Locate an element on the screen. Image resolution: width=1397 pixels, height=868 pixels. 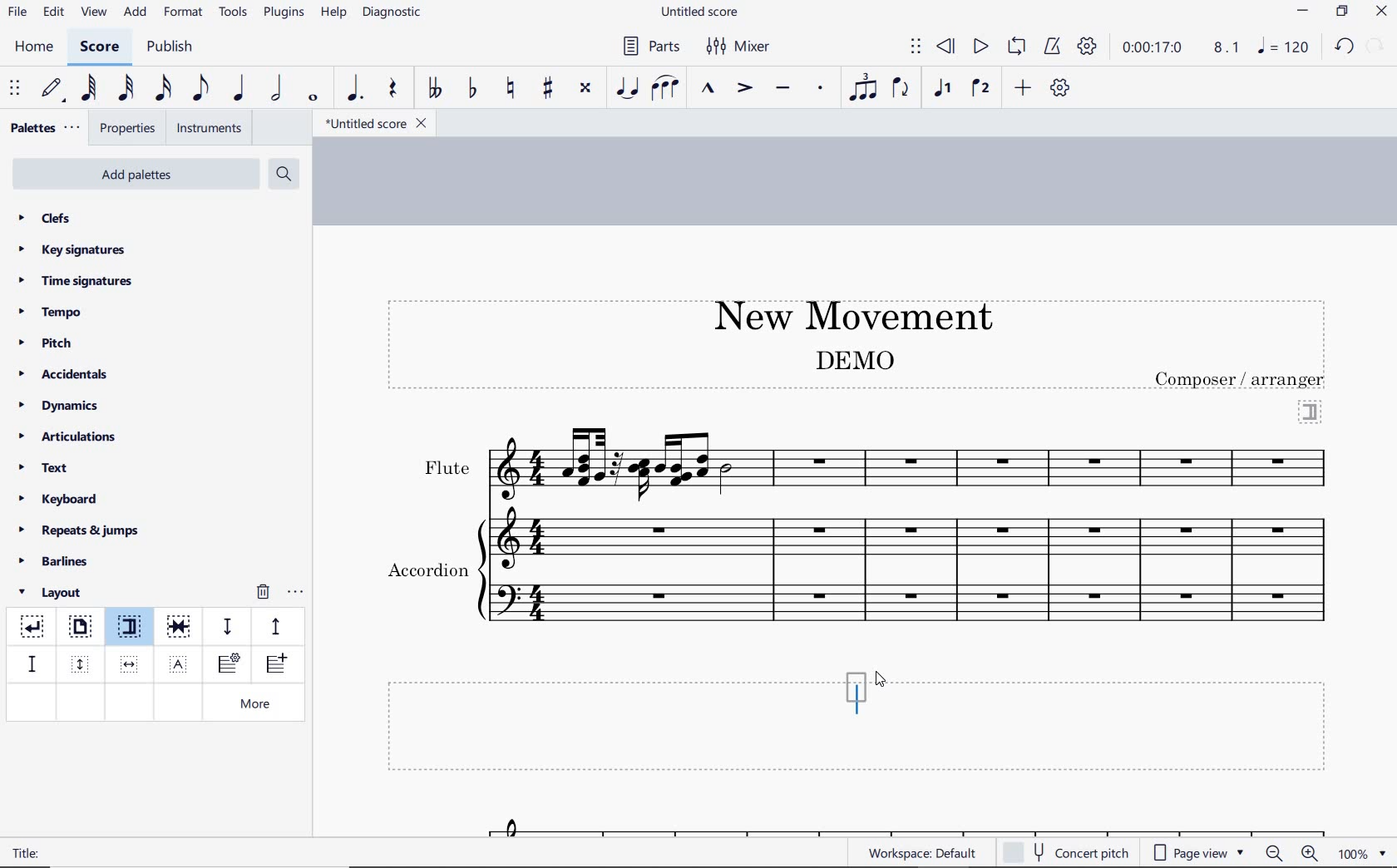
file name is located at coordinates (702, 12).